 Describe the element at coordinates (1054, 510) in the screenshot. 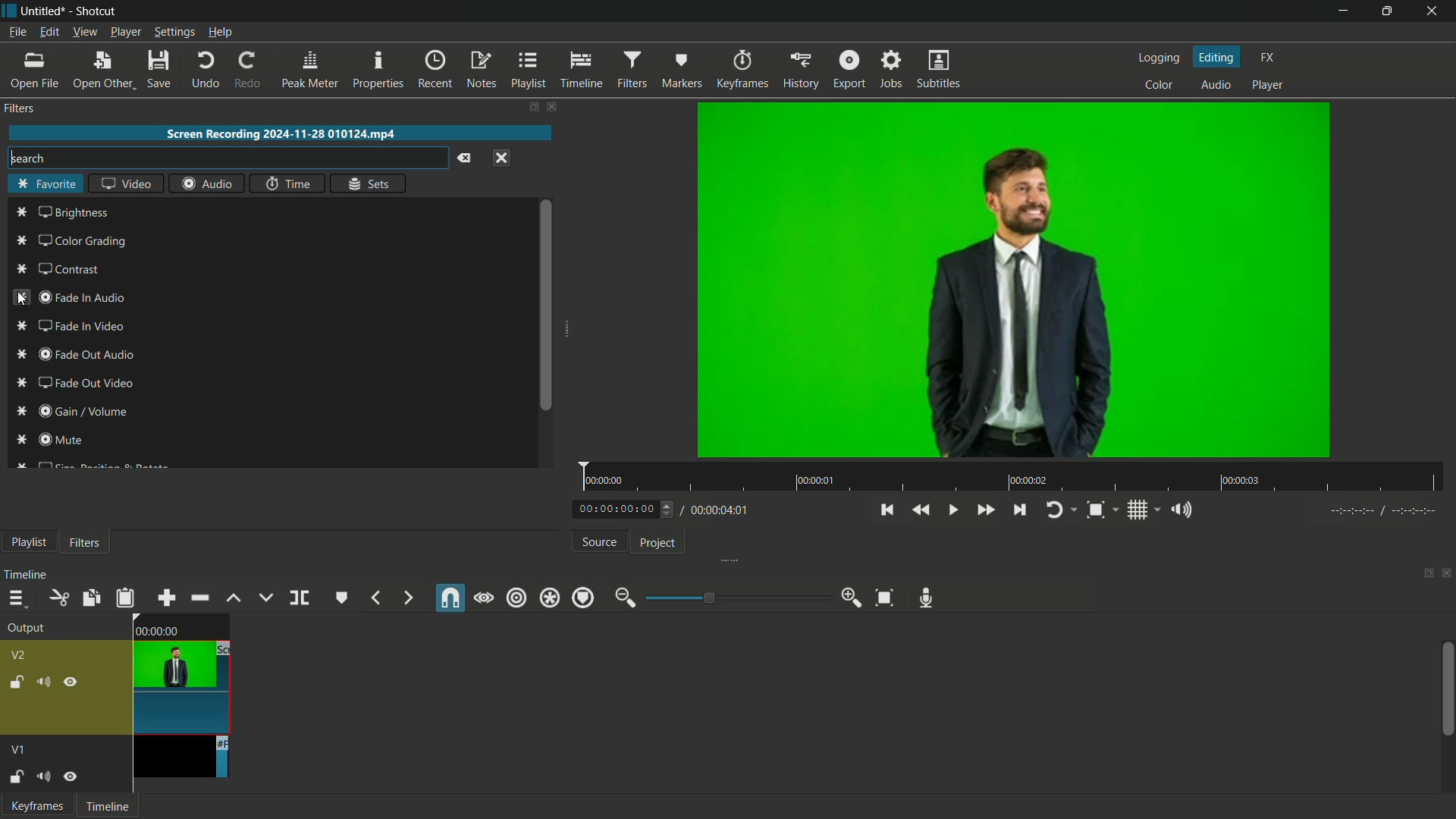

I see `toggle player looping` at that location.